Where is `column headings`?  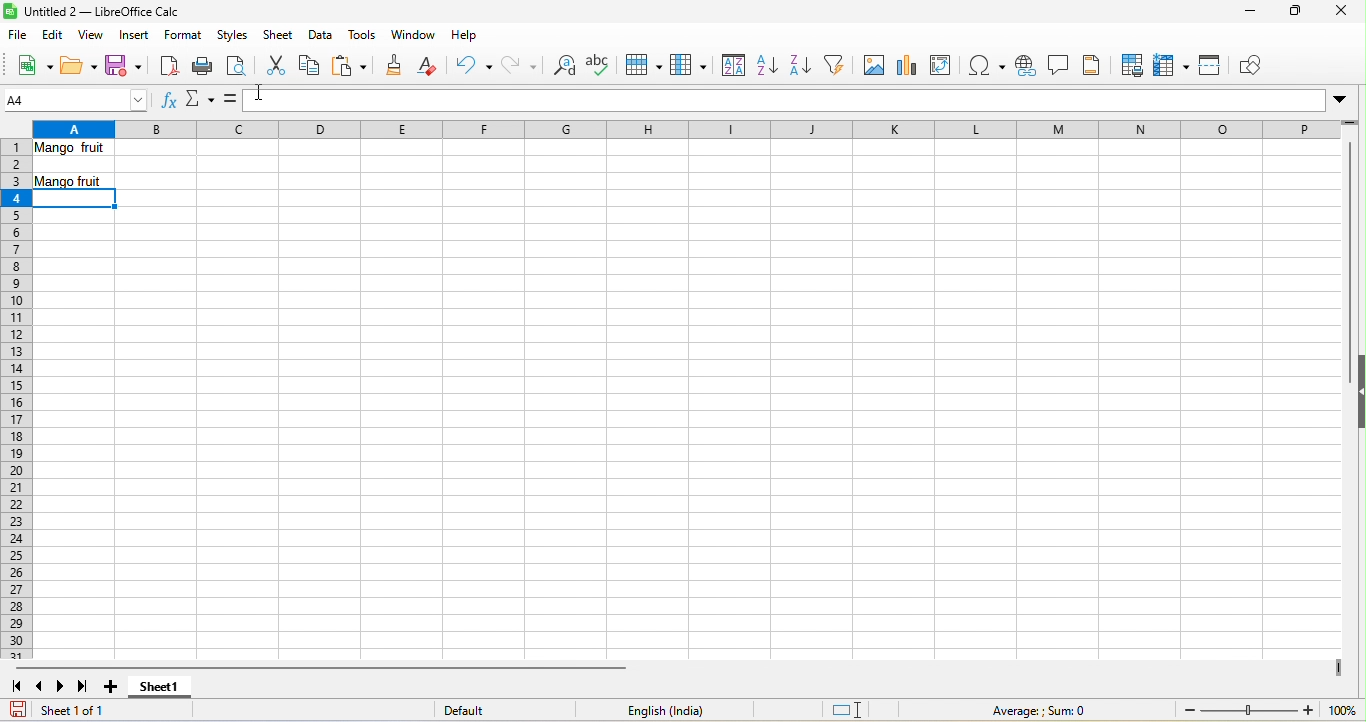 column headings is located at coordinates (695, 129).